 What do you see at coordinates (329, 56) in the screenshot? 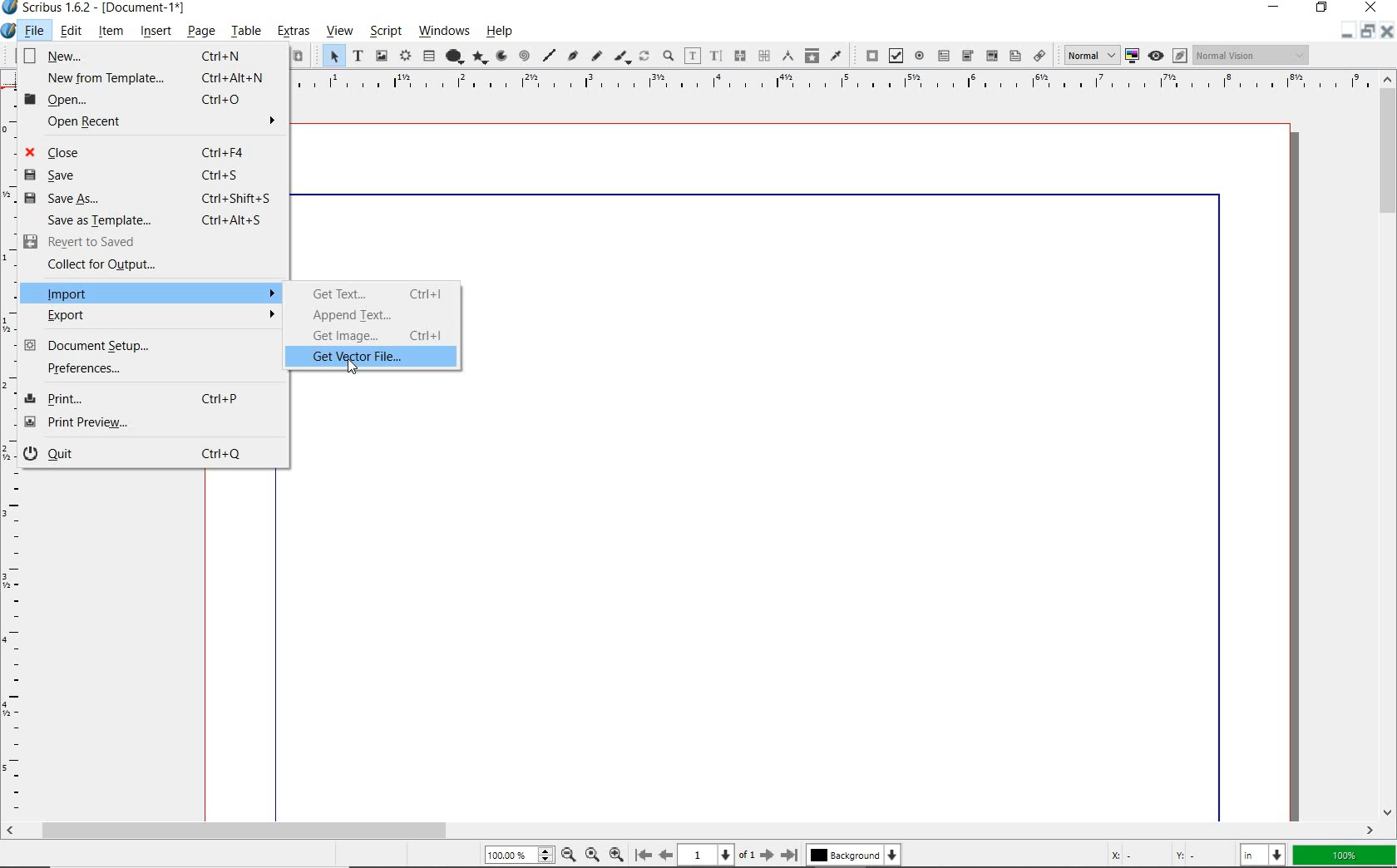
I see `select item` at bounding box center [329, 56].